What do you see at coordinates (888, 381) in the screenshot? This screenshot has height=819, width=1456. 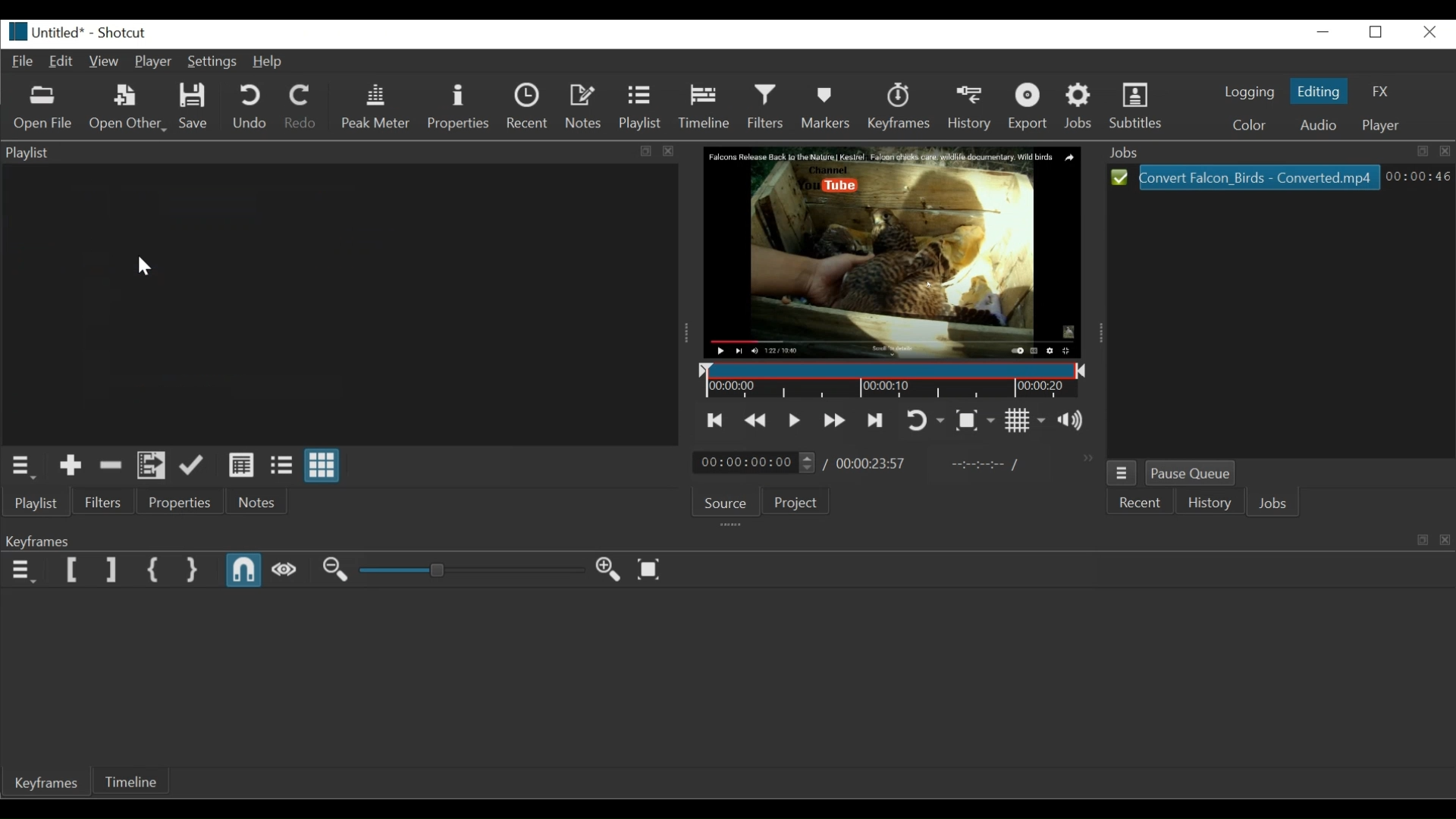 I see `Timeline` at bounding box center [888, 381].